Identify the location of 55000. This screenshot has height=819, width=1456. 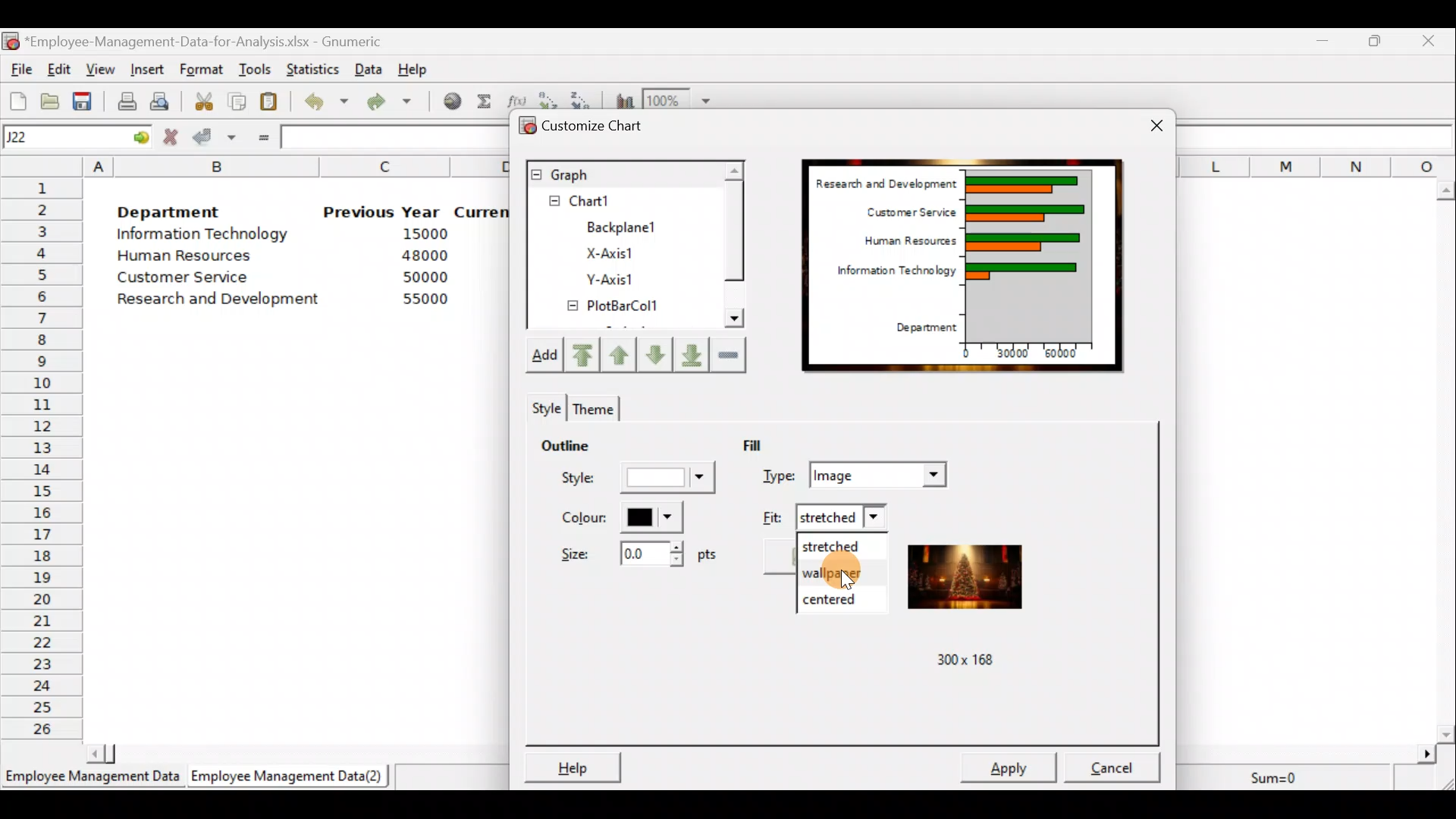
(423, 300).